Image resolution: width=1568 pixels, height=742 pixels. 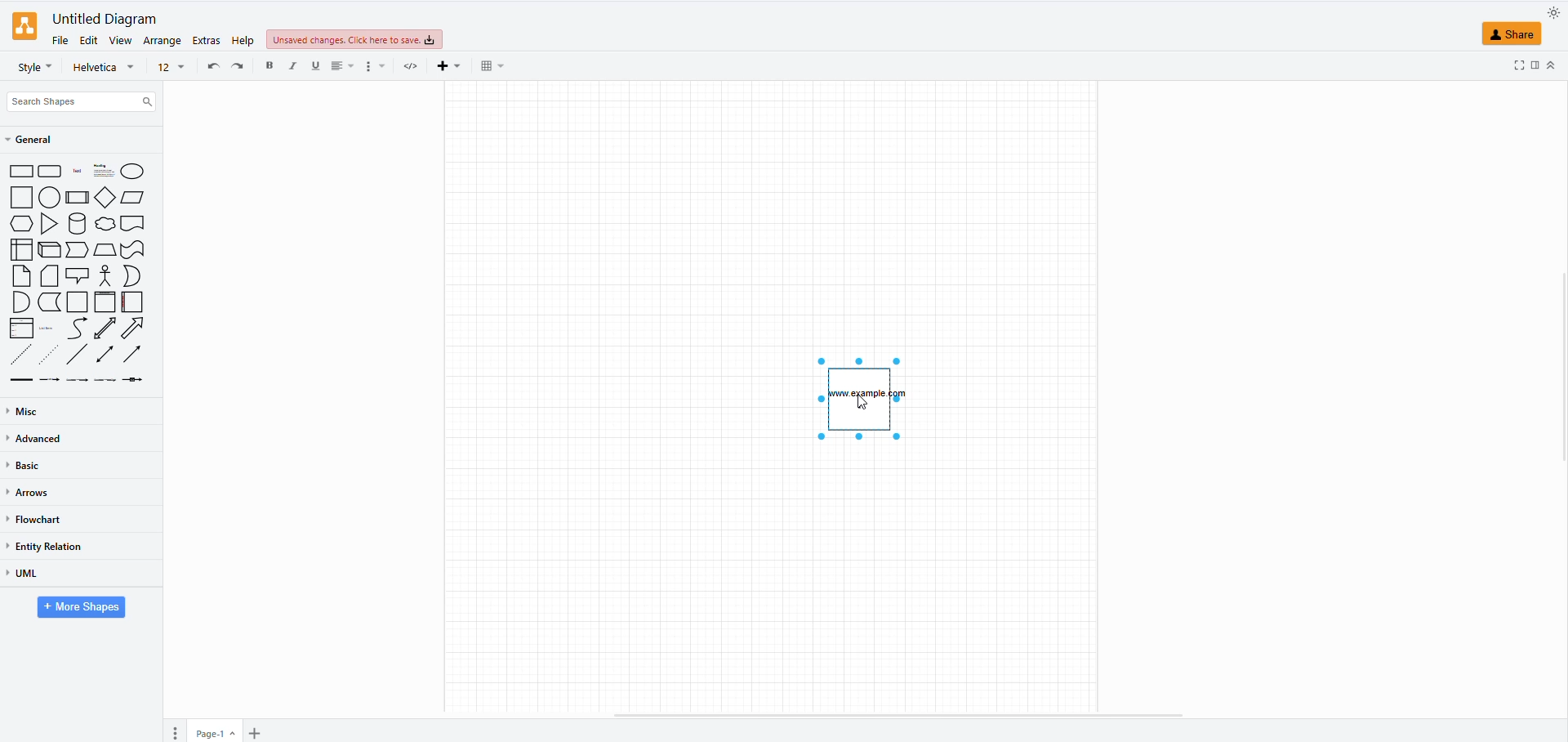 What do you see at coordinates (866, 405) in the screenshot?
I see `cursor` at bounding box center [866, 405].